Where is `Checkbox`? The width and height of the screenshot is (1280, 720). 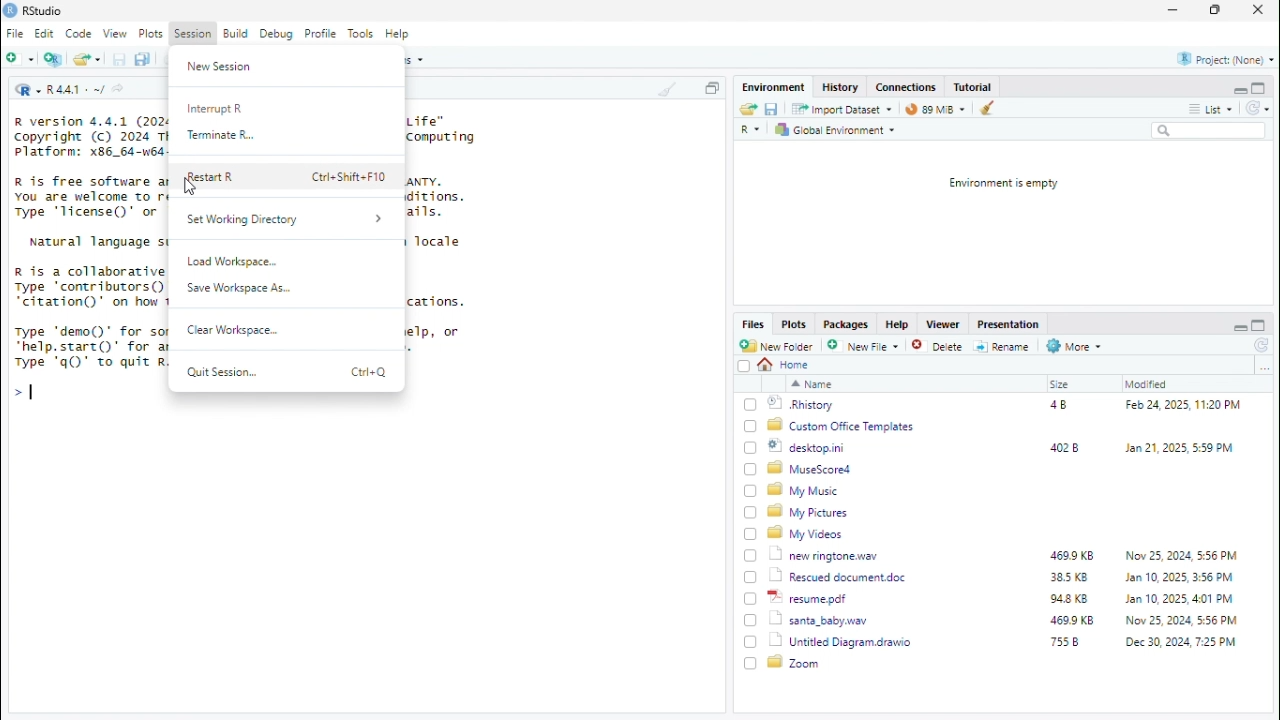 Checkbox is located at coordinates (751, 663).